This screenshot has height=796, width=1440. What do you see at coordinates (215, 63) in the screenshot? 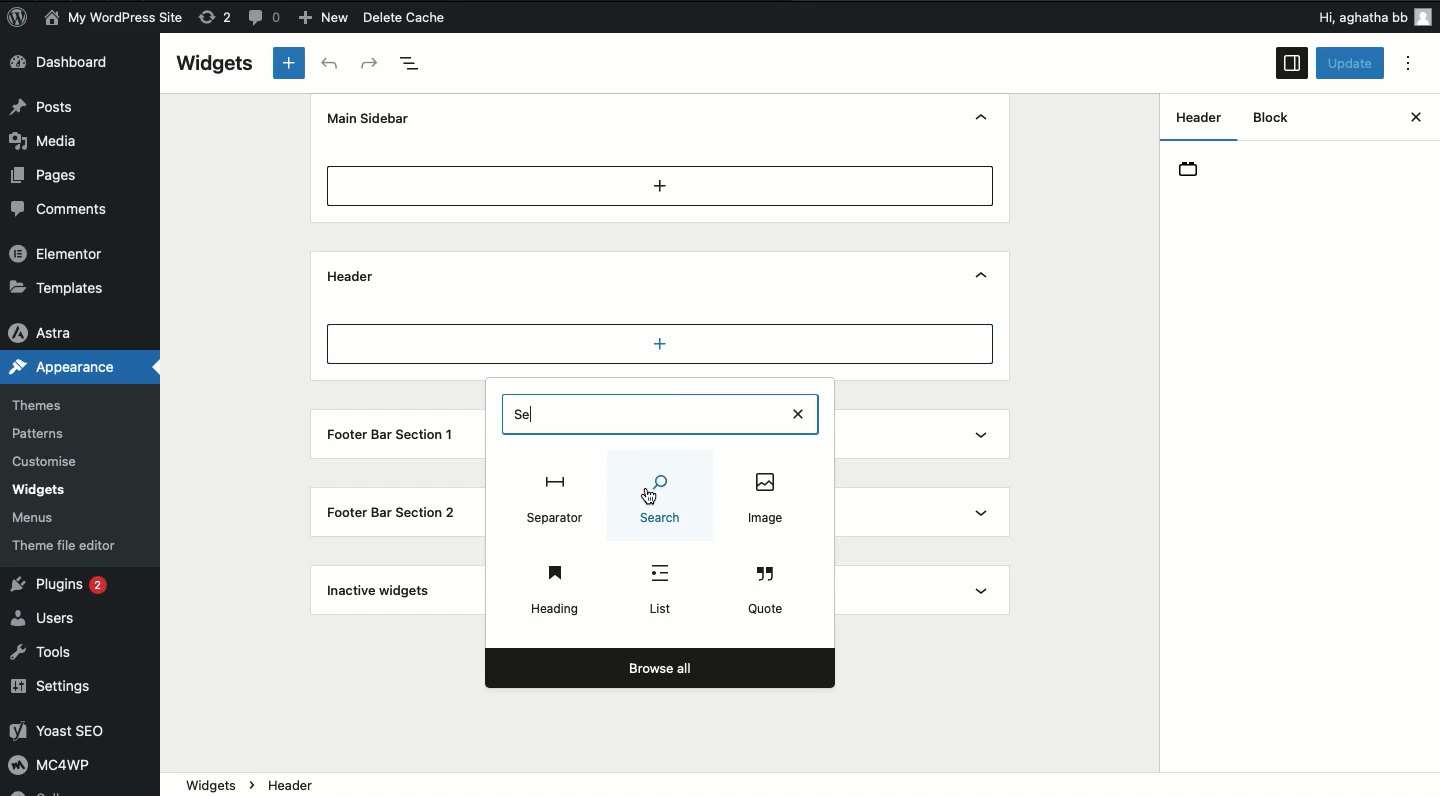
I see `Widgets` at bounding box center [215, 63].